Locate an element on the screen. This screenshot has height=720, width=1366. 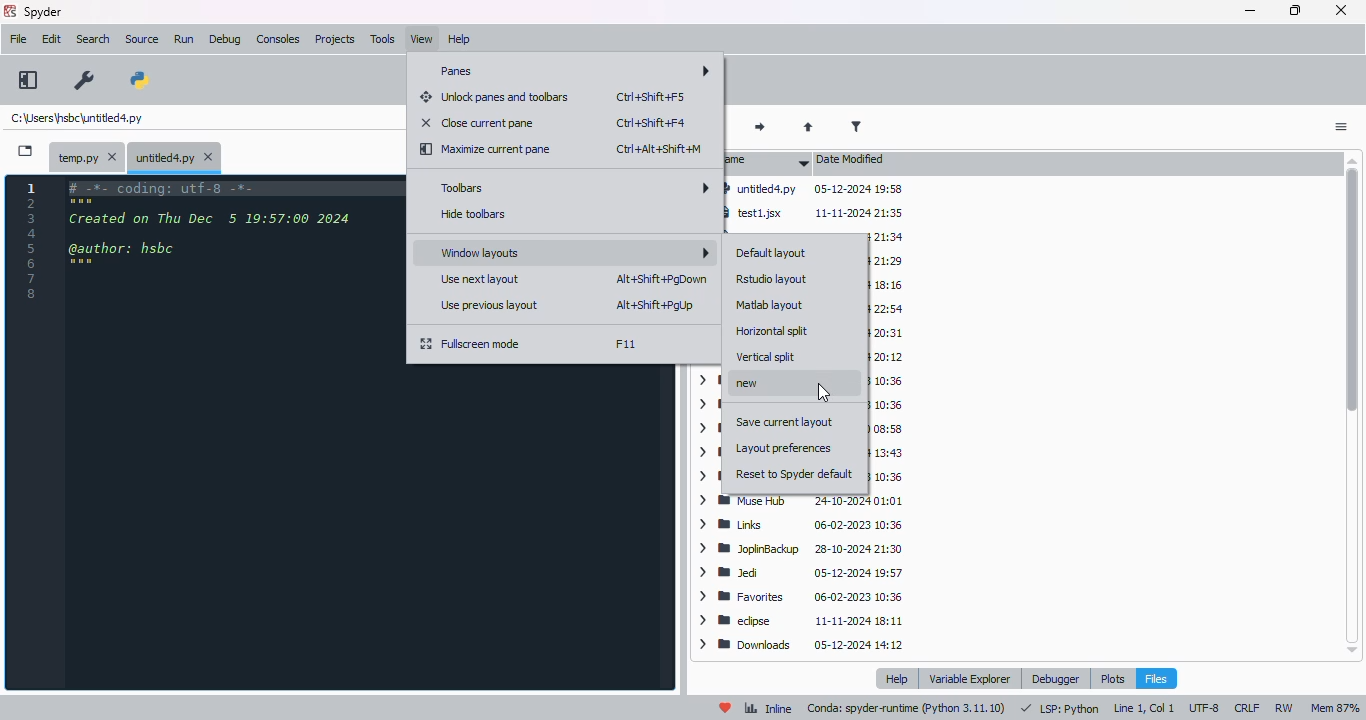
test.jsx is located at coordinates (882, 238).